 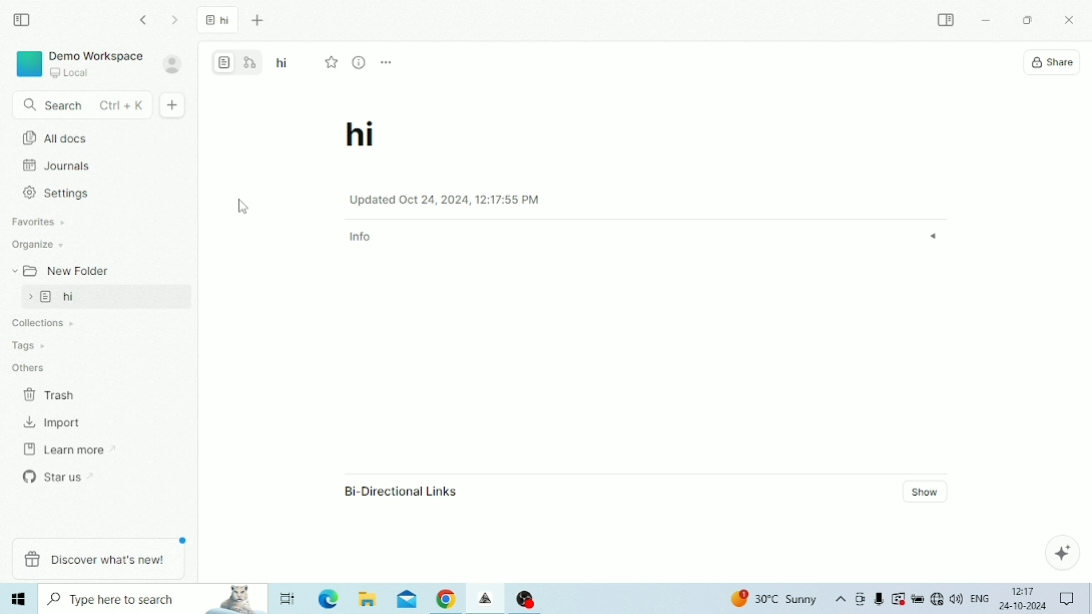 I want to click on Temperature, so click(x=776, y=599).